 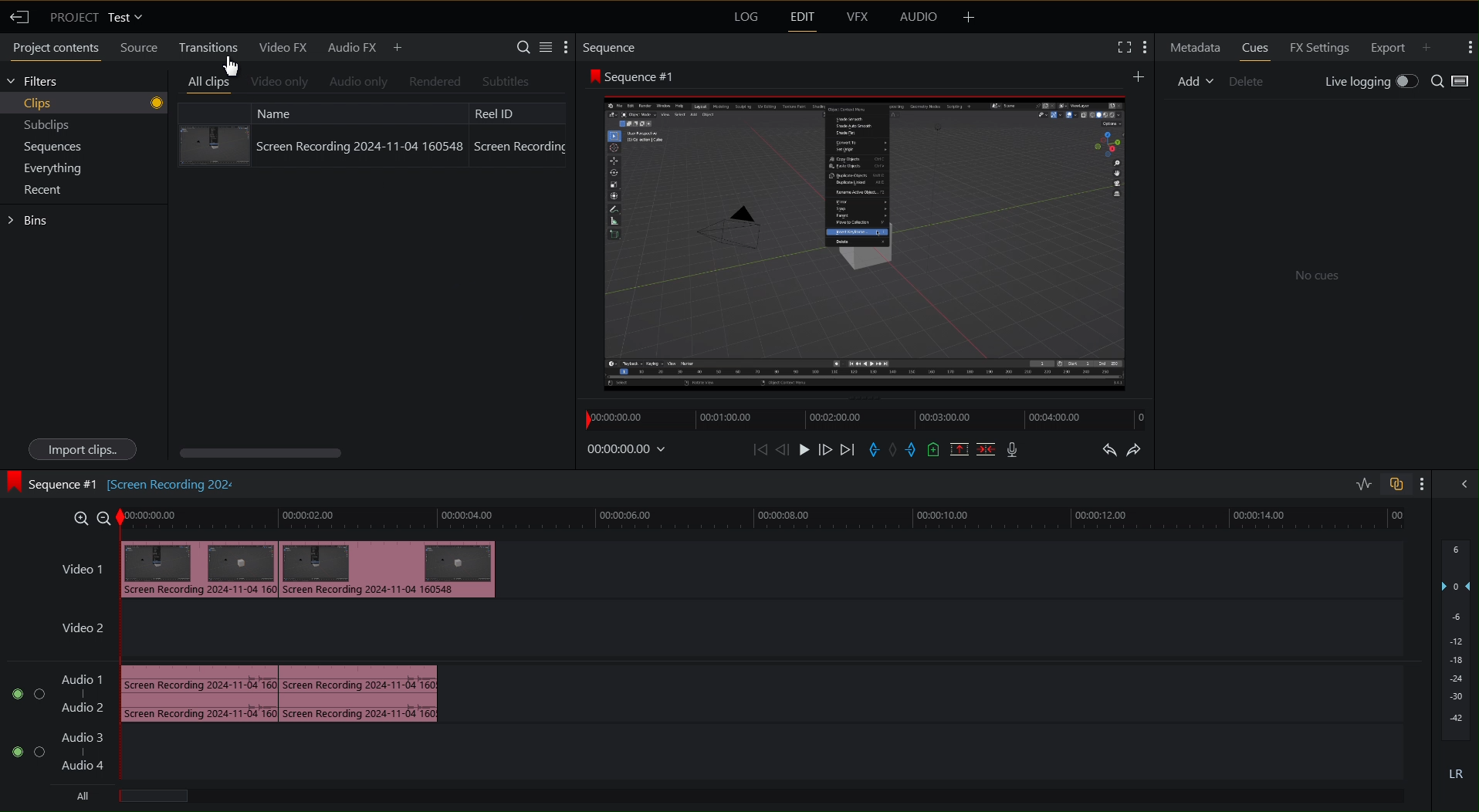 I want to click on Subtitles, so click(x=508, y=80).